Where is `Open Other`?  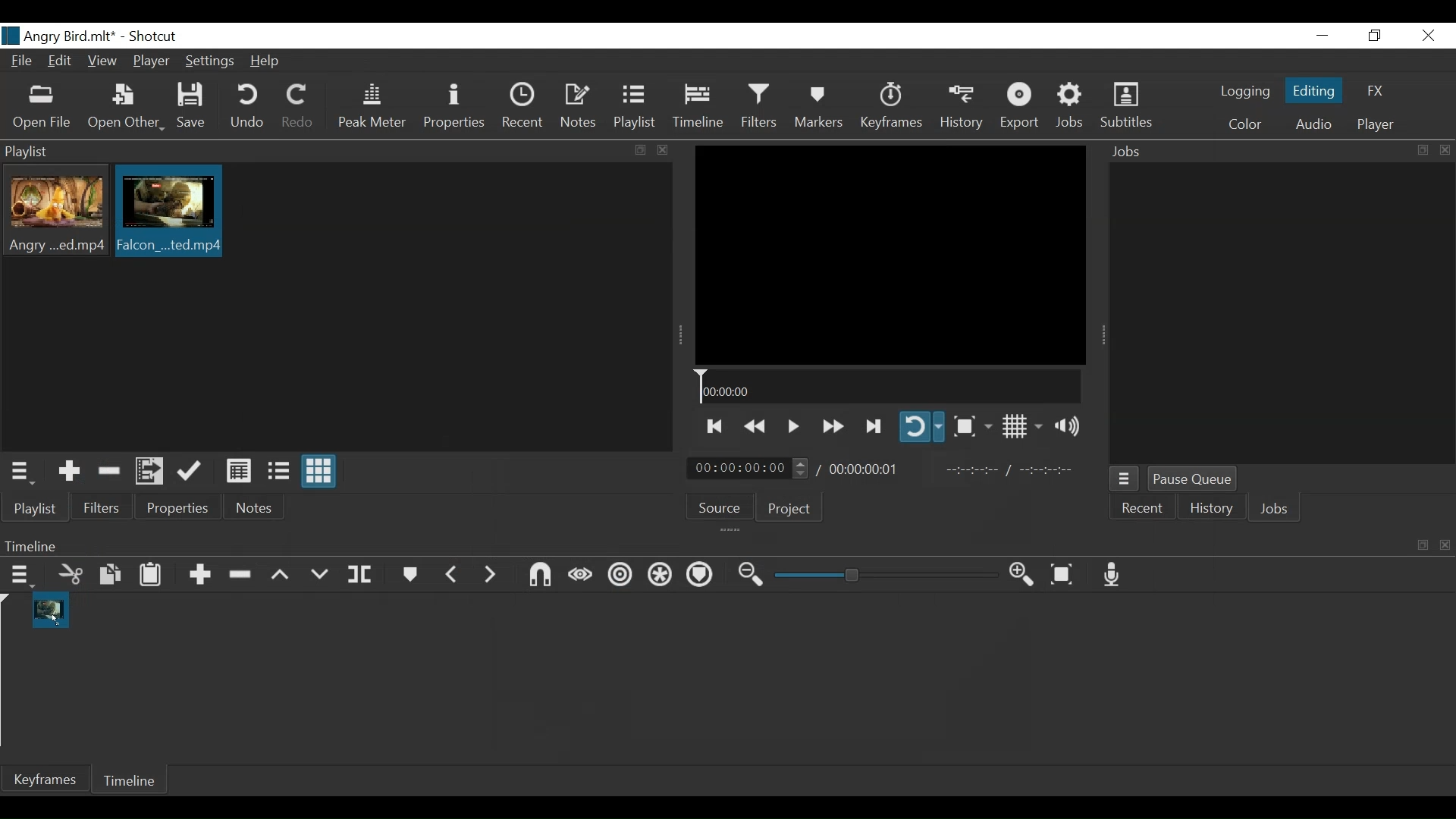
Open Other is located at coordinates (126, 107).